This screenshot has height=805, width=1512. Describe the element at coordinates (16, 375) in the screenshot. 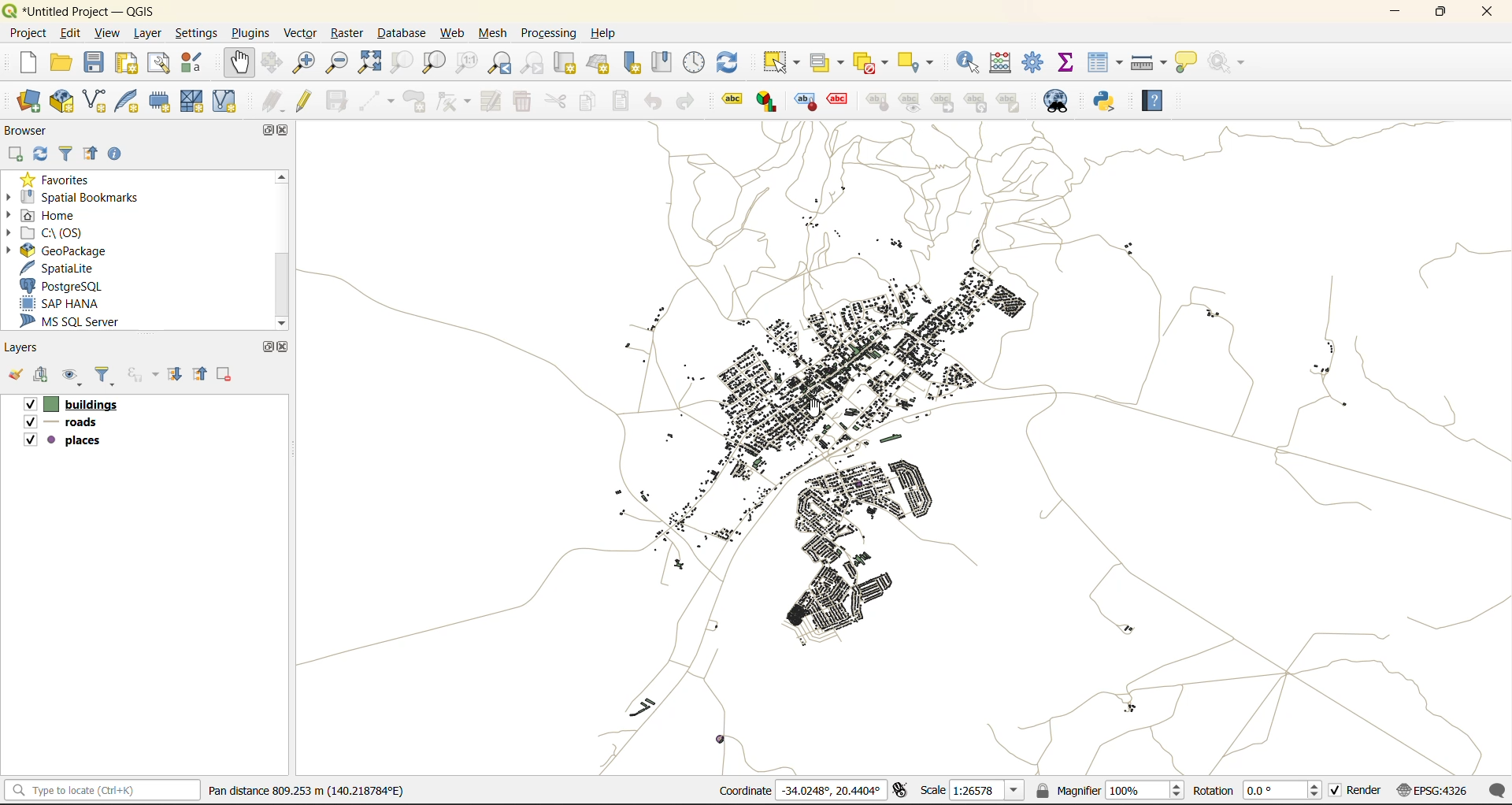

I see `open` at that location.